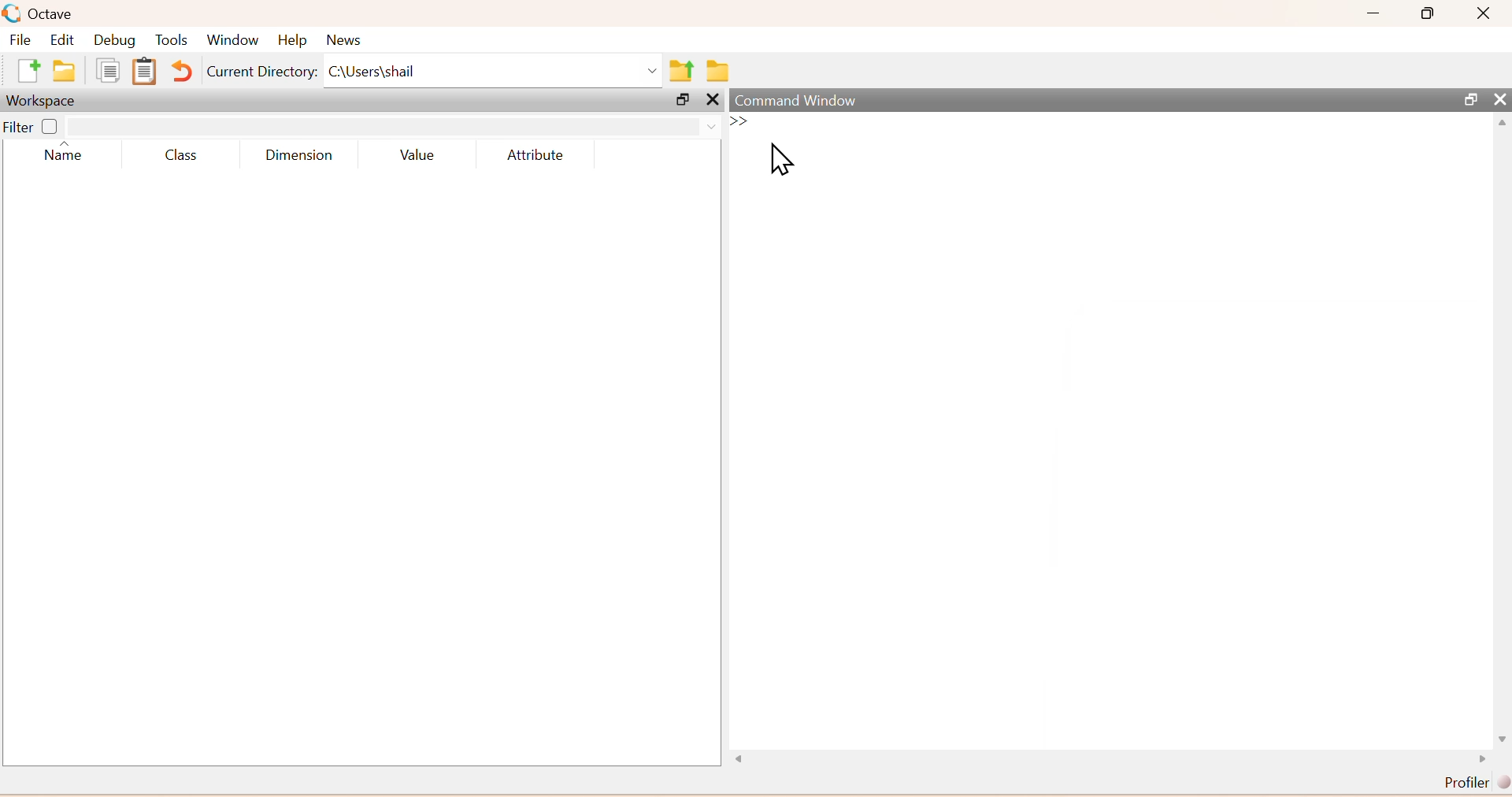 Image resolution: width=1512 pixels, height=797 pixels. Describe the element at coordinates (184, 156) in the screenshot. I see `Class` at that location.